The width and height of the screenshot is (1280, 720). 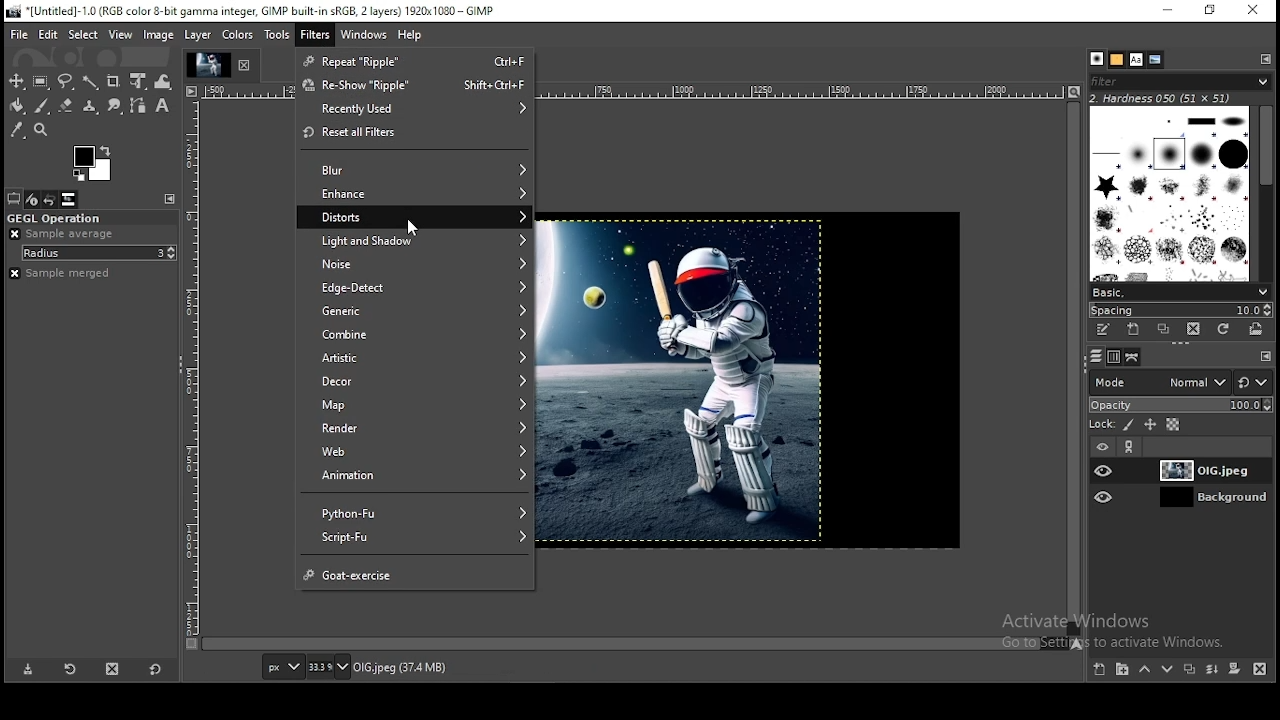 I want to click on colors, so click(x=94, y=162).